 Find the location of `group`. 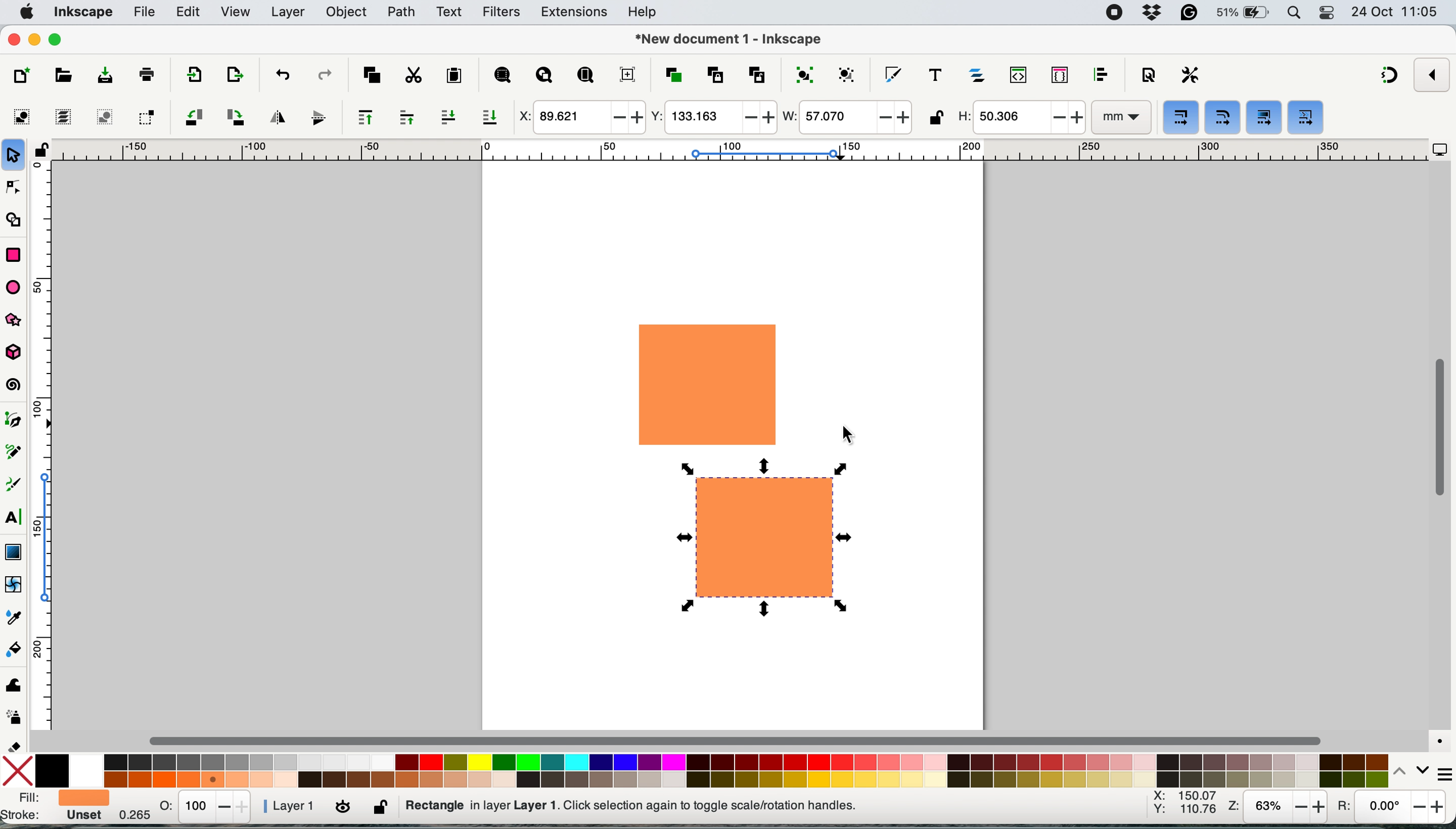

group is located at coordinates (803, 73).